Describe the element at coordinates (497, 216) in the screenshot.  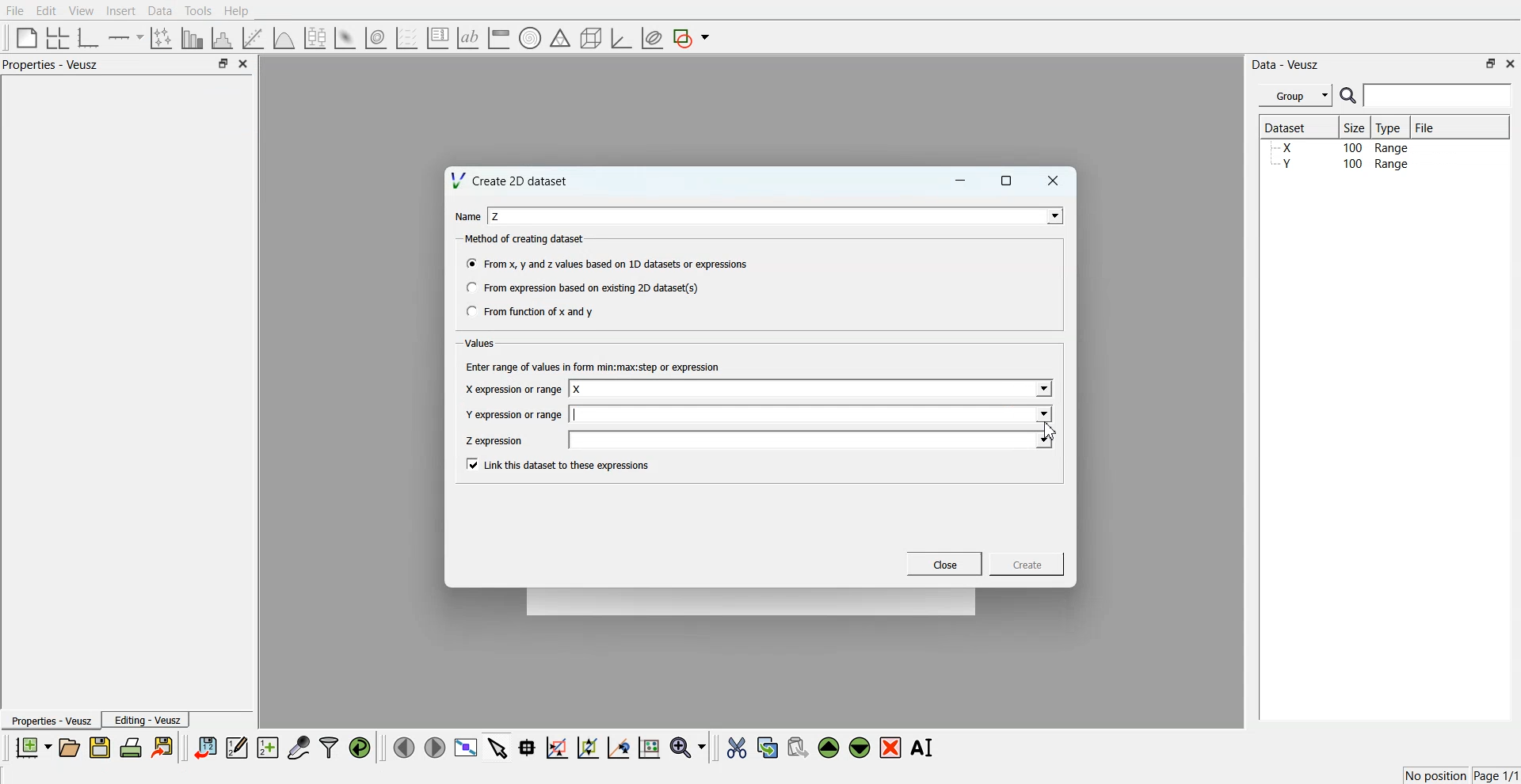
I see `Z` at that location.